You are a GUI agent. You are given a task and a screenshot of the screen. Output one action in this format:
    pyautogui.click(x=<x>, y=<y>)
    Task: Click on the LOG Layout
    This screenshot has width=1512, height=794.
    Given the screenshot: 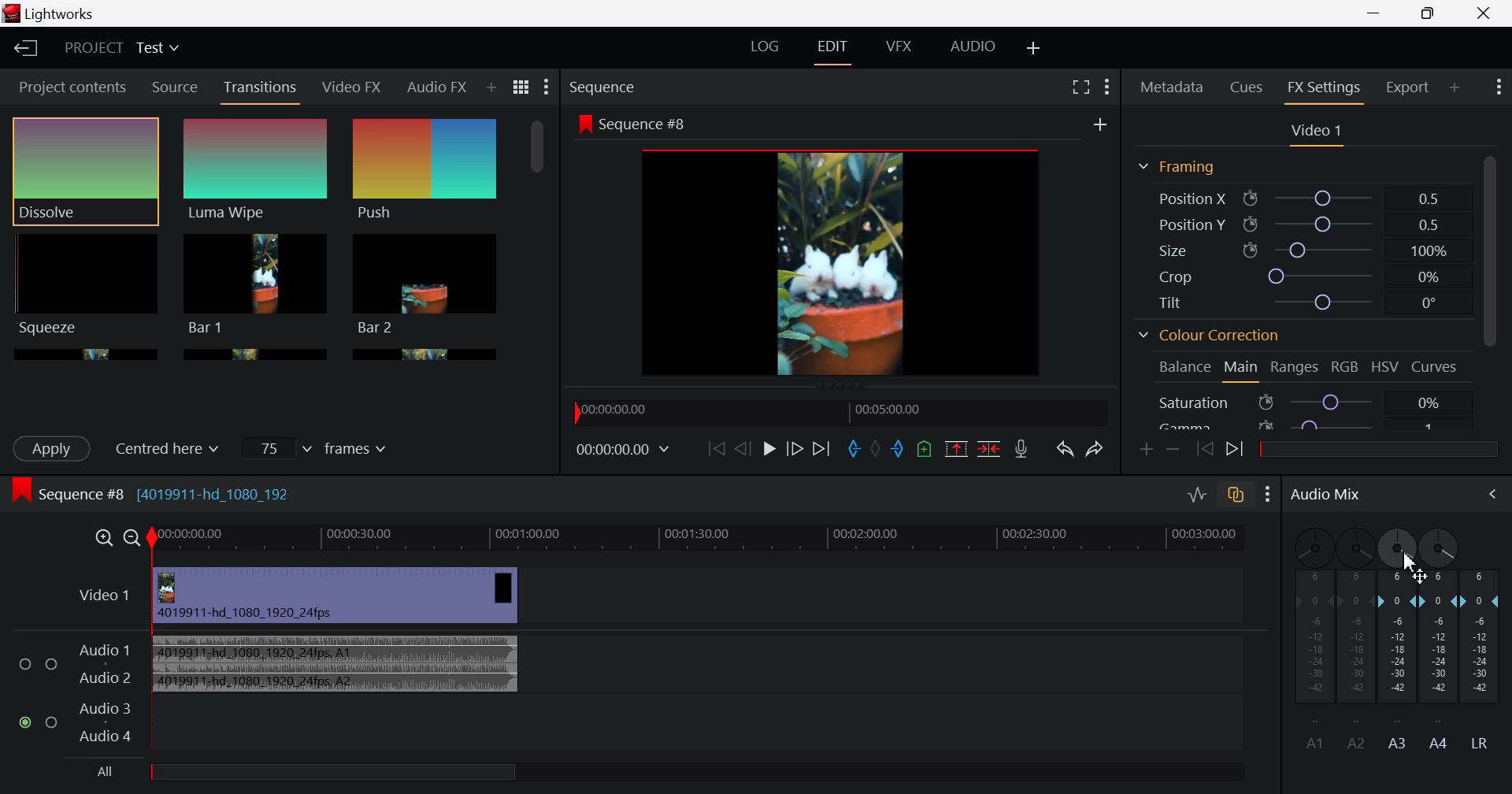 What is the action you would take?
    pyautogui.click(x=766, y=46)
    